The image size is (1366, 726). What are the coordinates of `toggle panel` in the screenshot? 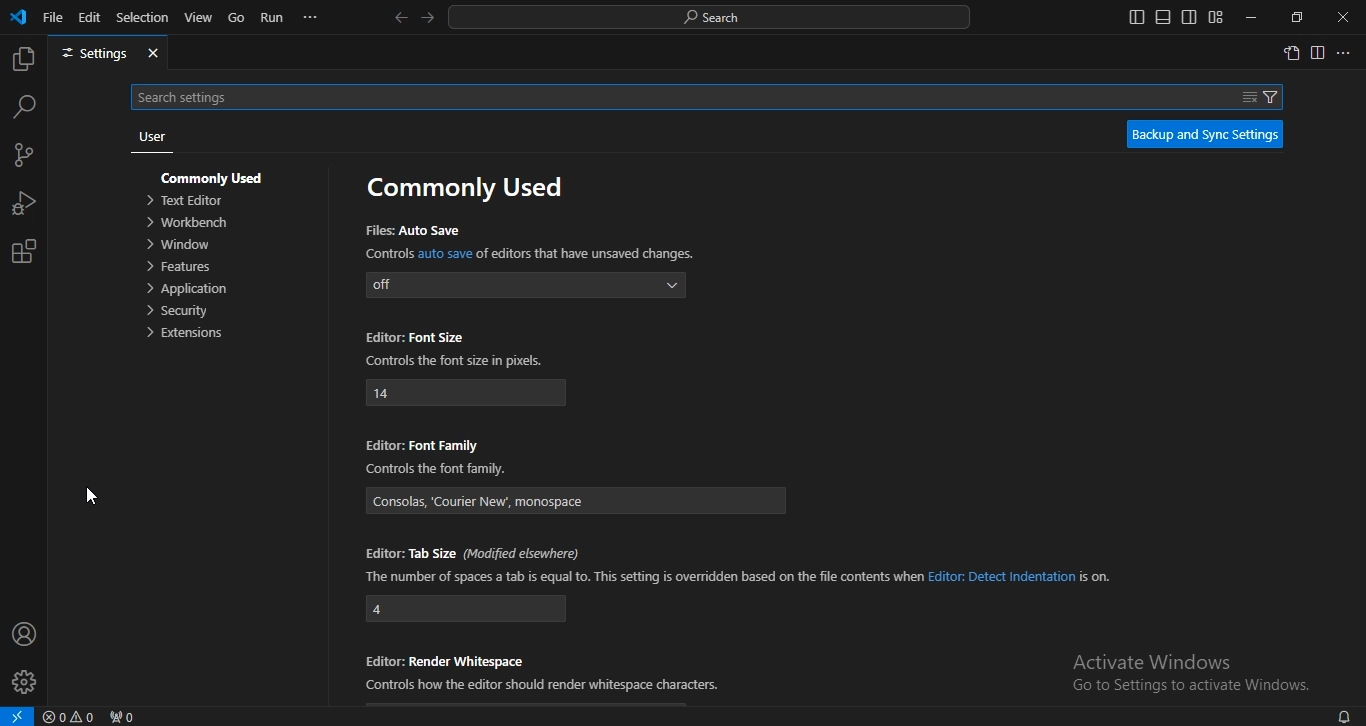 It's located at (1162, 17).